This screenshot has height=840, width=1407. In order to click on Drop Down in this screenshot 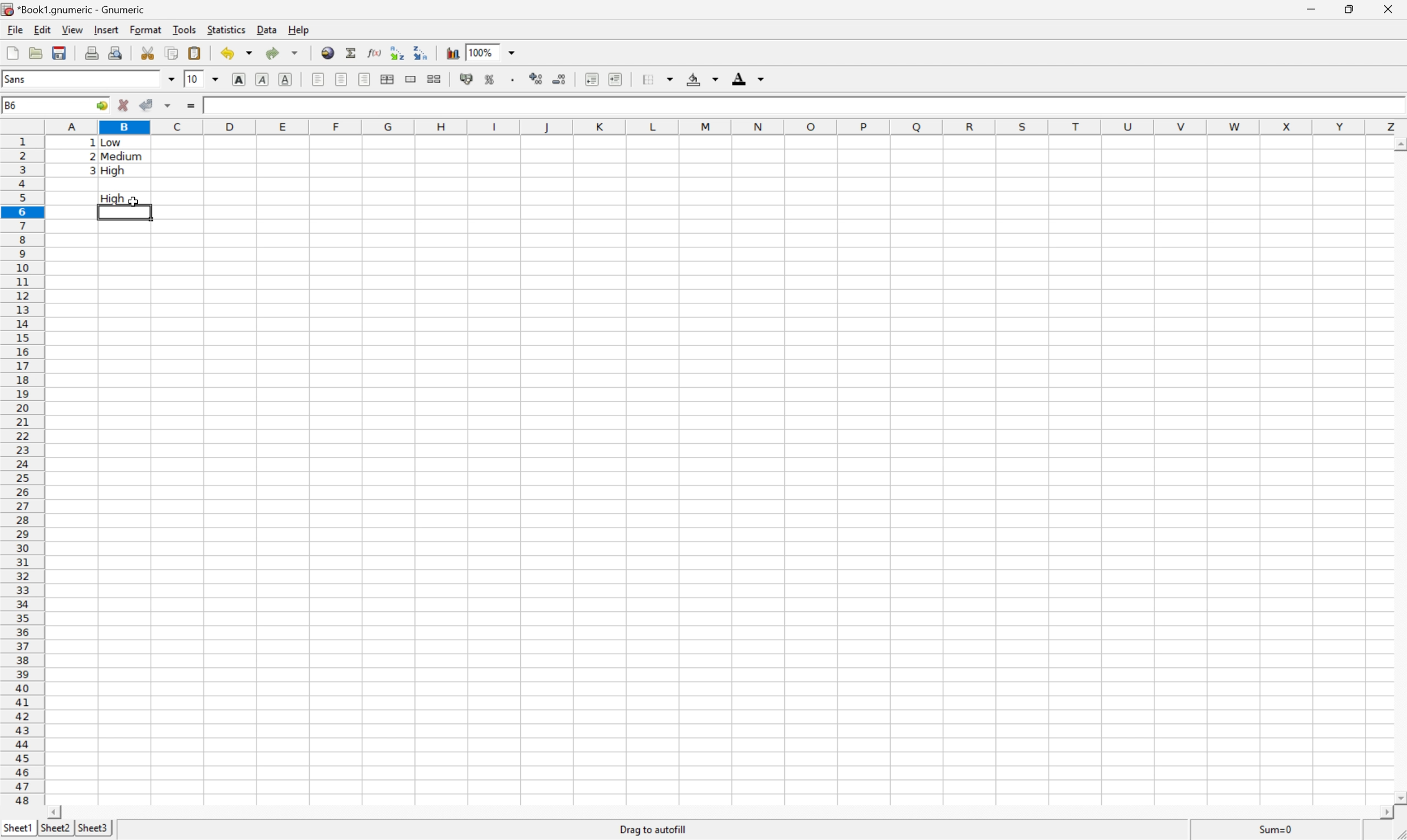, I will do `click(513, 53)`.